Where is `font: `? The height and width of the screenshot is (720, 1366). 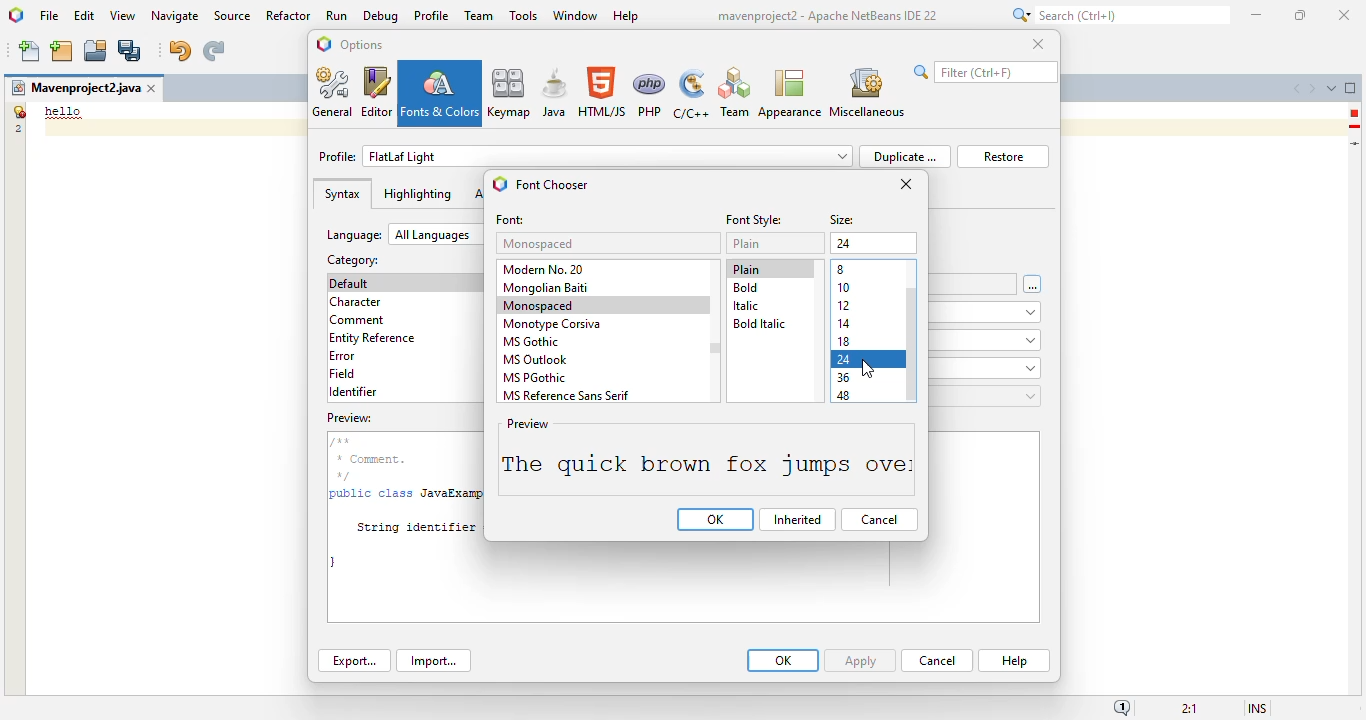 font:  is located at coordinates (511, 220).